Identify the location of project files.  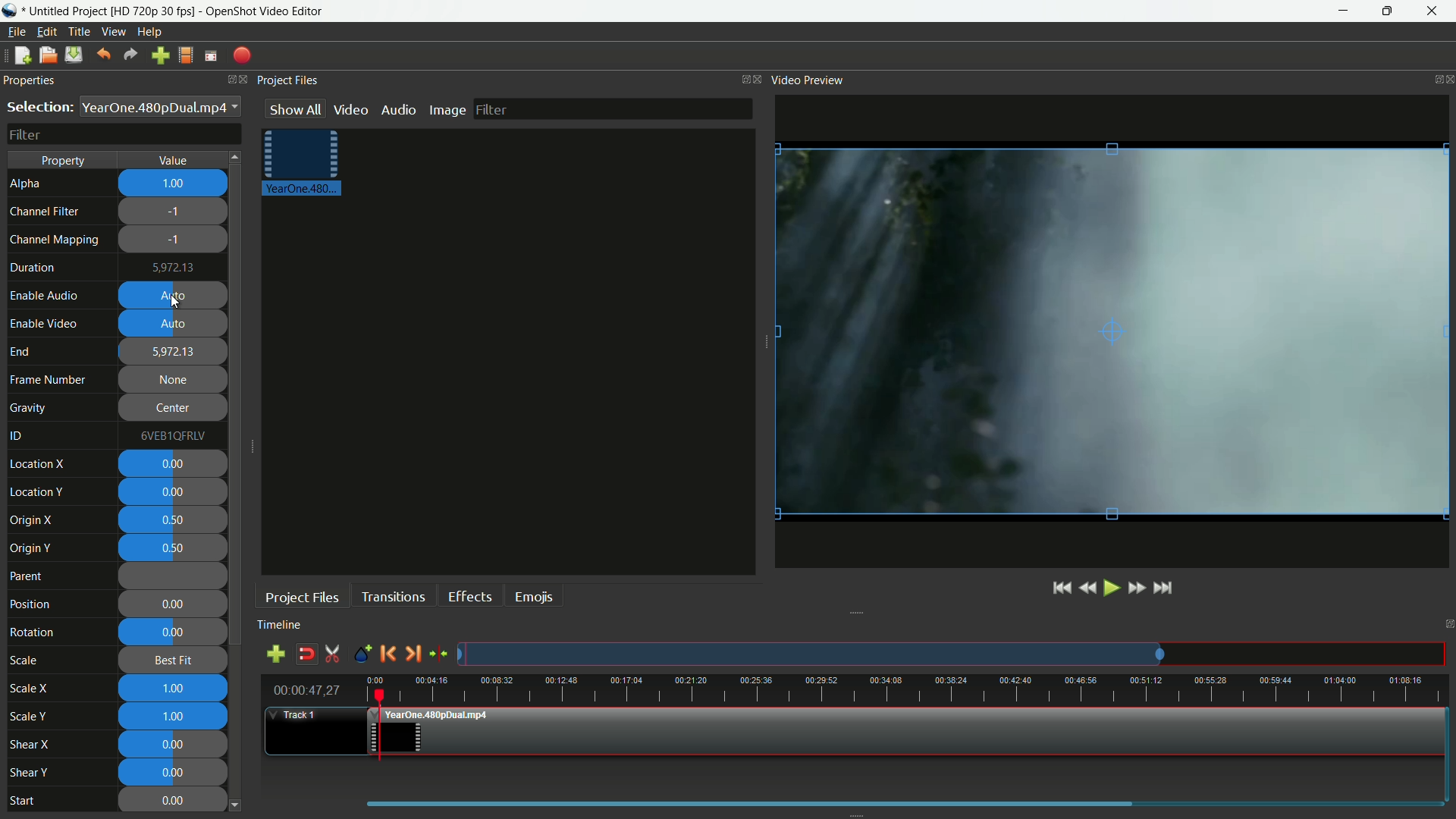
(302, 597).